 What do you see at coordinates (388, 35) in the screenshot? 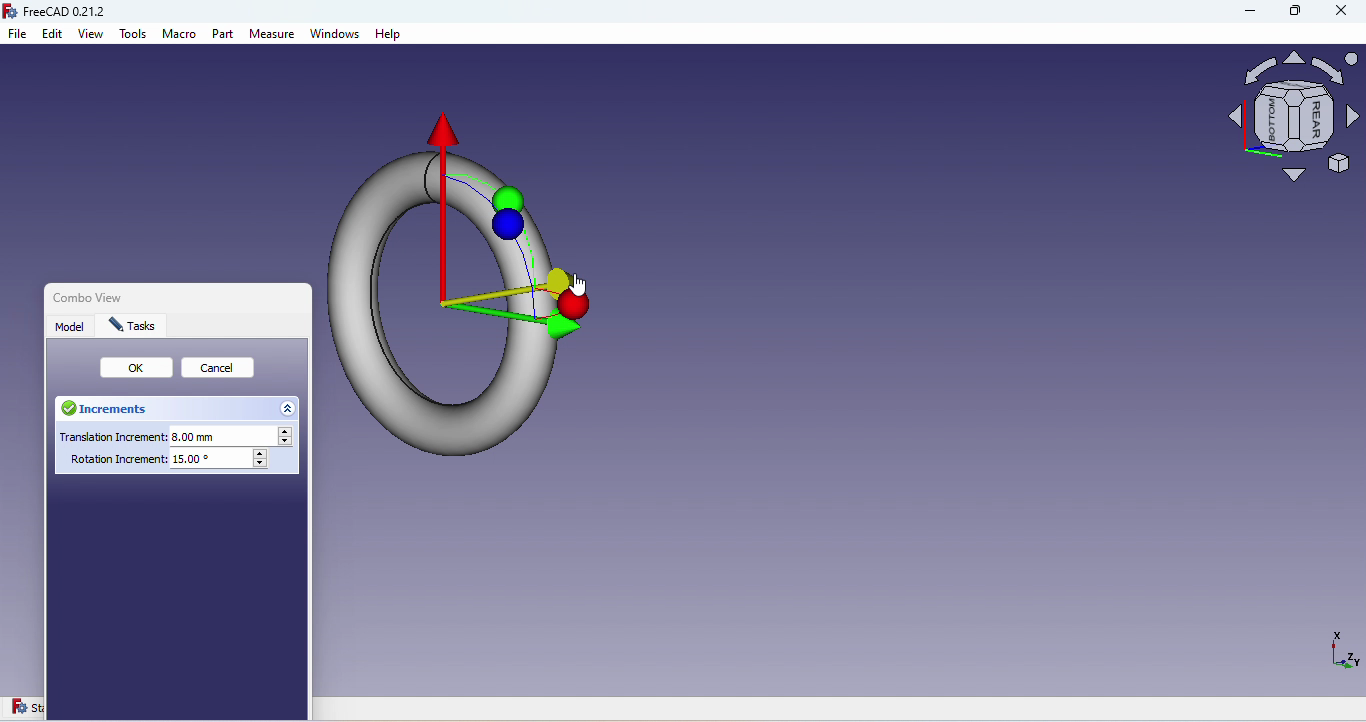
I see `Help` at bounding box center [388, 35].